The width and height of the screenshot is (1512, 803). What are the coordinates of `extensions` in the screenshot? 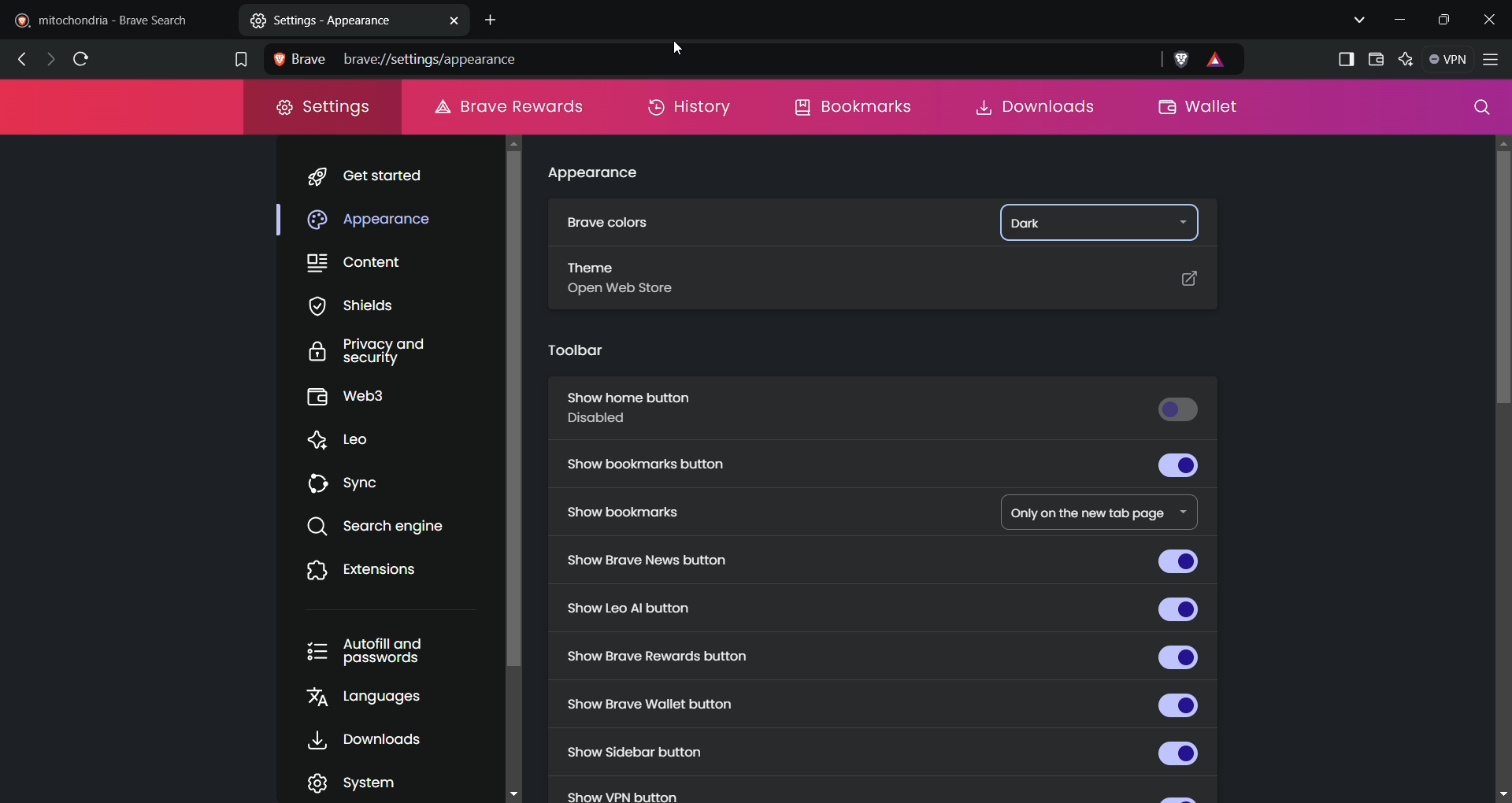 It's located at (369, 570).